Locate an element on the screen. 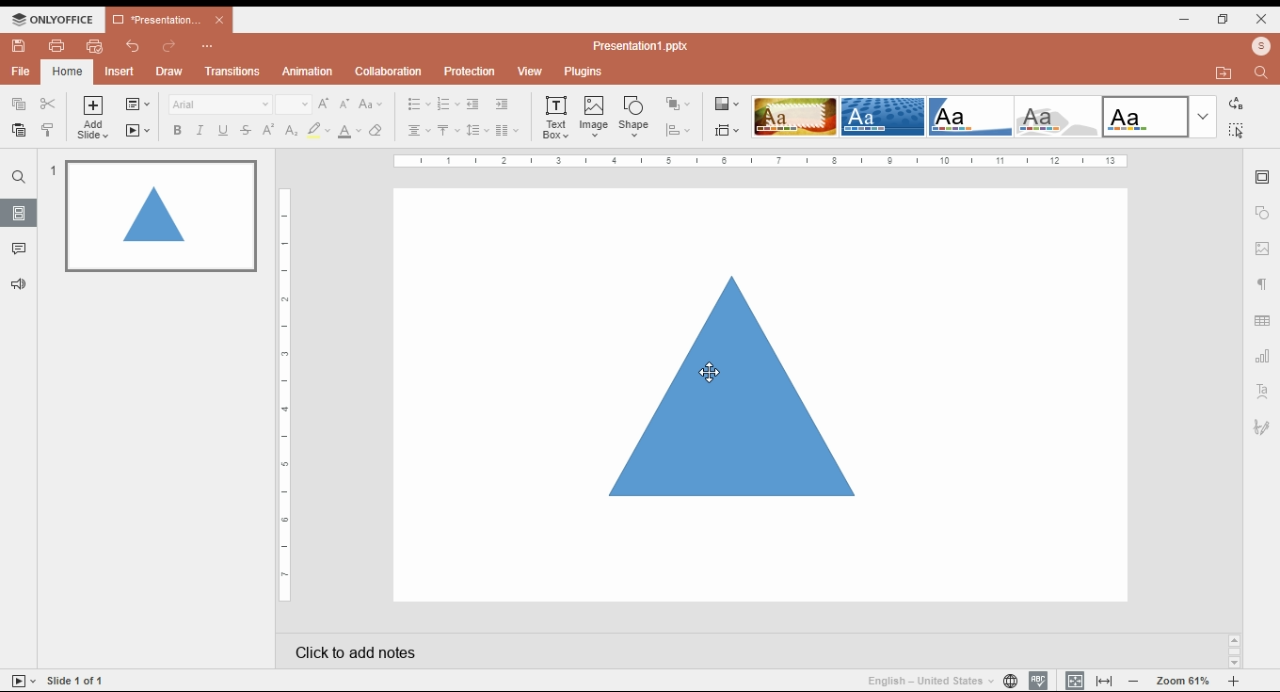  profile is located at coordinates (1262, 46).